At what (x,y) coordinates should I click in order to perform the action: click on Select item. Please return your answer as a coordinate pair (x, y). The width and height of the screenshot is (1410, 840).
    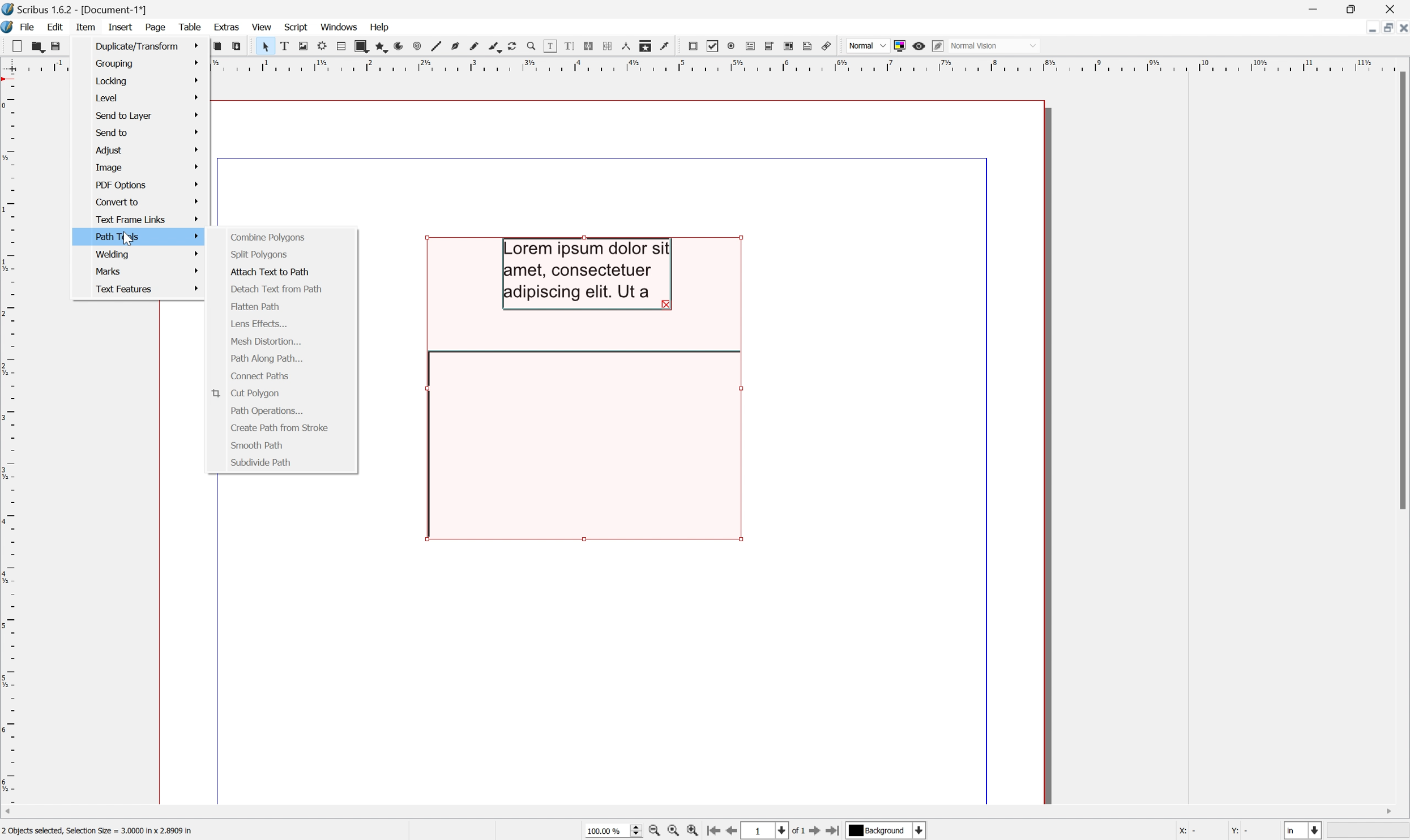
    Looking at the image, I should click on (262, 46).